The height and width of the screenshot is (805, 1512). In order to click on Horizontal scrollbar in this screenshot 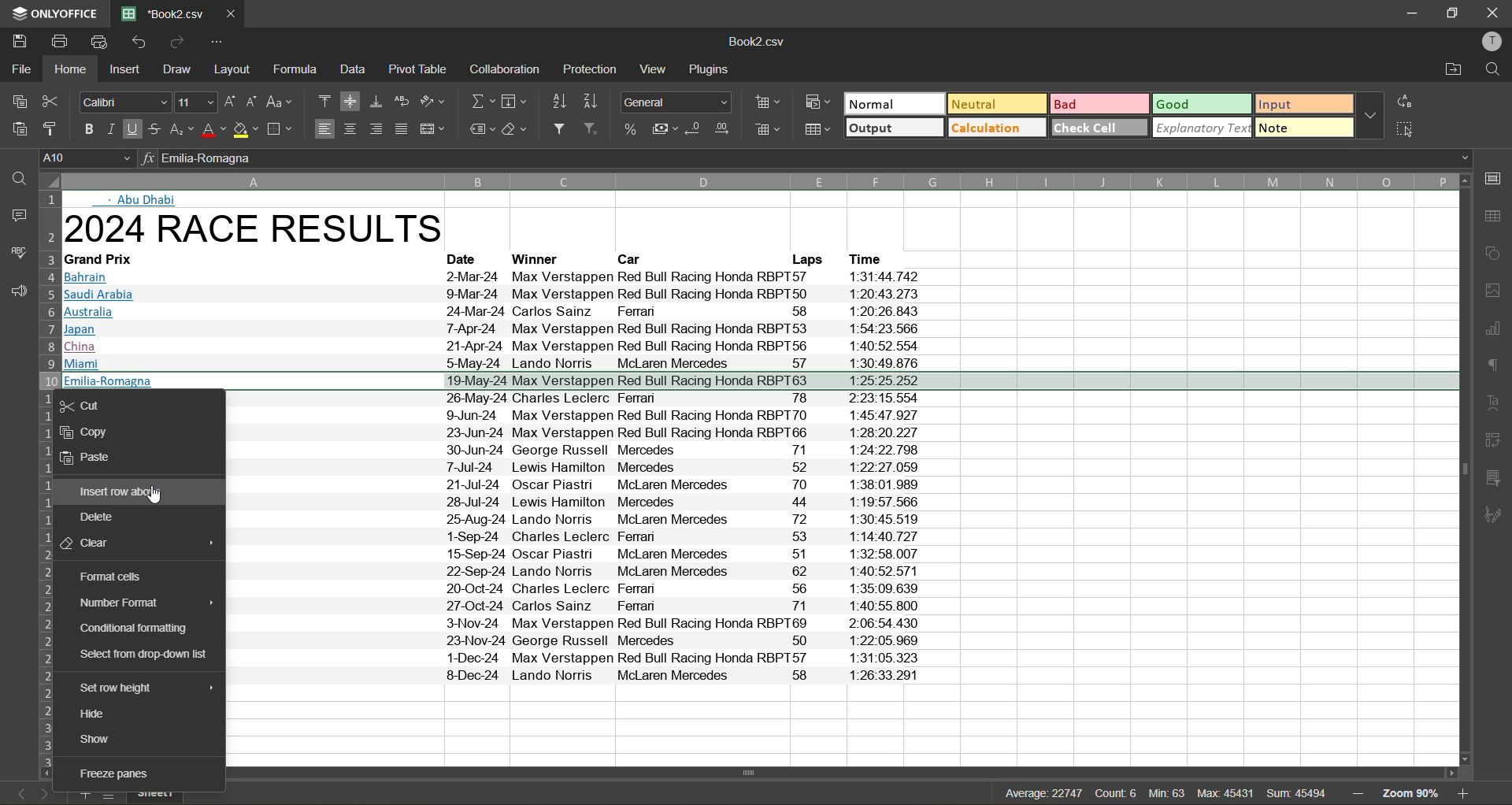, I will do `click(752, 773)`.